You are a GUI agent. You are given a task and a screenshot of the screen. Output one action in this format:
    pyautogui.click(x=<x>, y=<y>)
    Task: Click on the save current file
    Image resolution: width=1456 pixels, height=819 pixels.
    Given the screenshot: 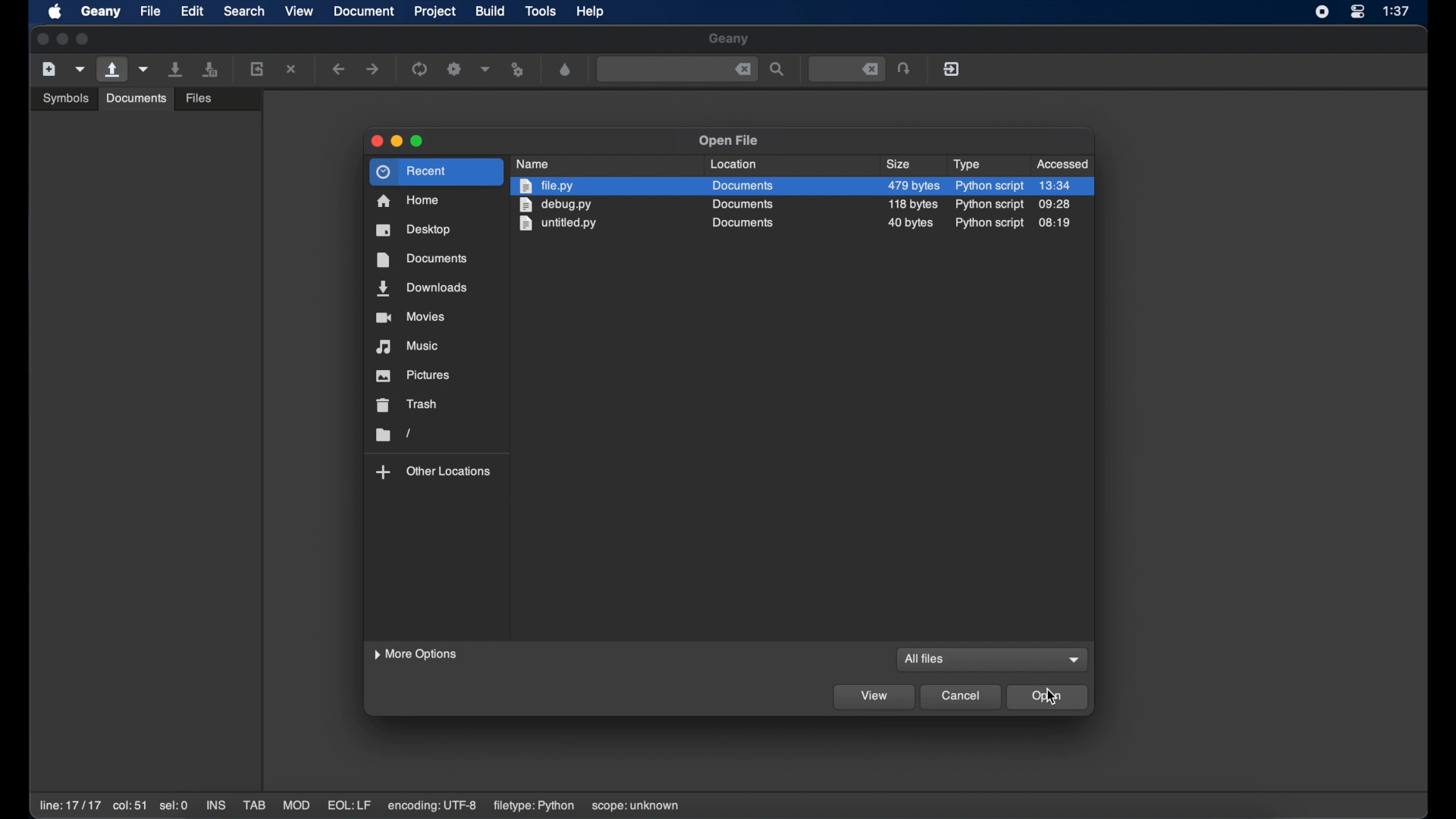 What is the action you would take?
    pyautogui.click(x=176, y=69)
    